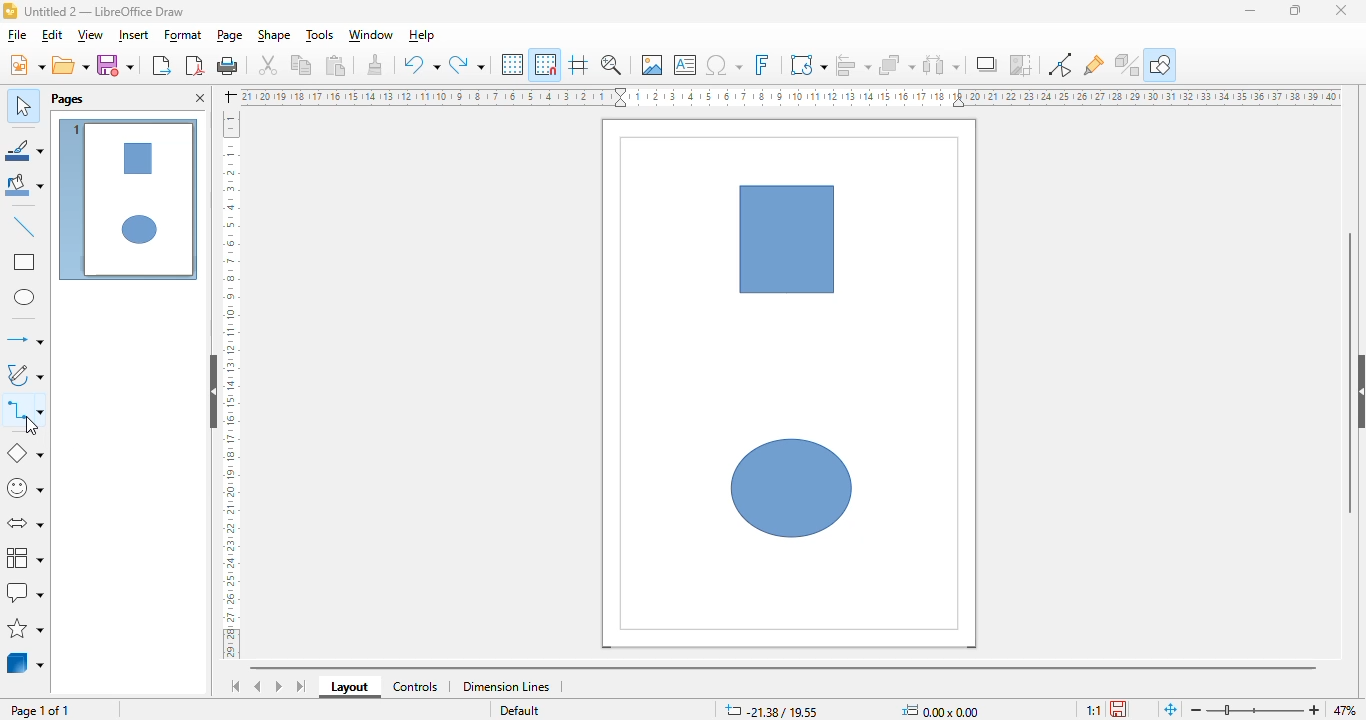 The image size is (1366, 720). Describe the element at coordinates (231, 385) in the screenshot. I see `ruler` at that location.